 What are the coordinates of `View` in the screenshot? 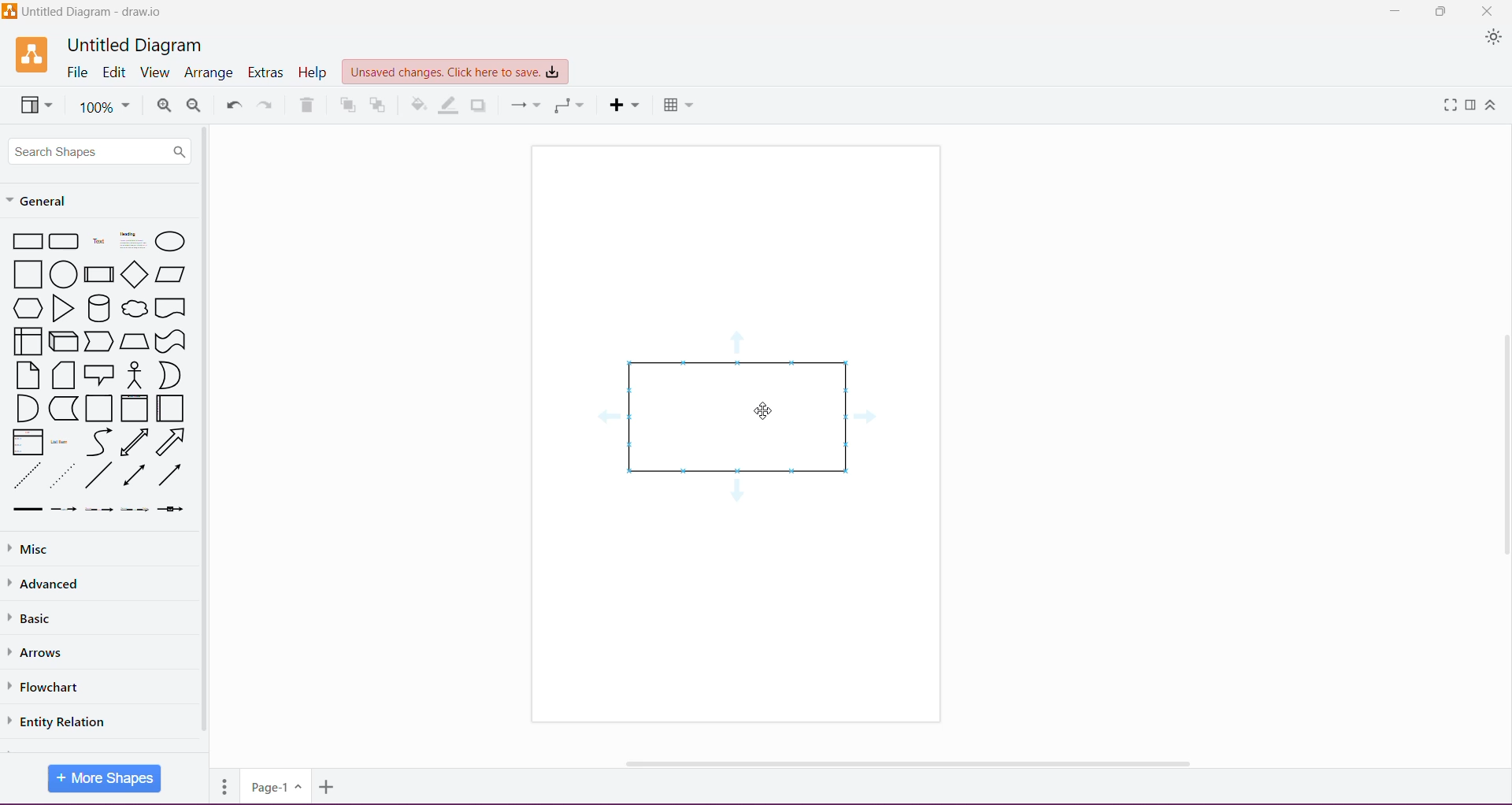 It's located at (154, 72).